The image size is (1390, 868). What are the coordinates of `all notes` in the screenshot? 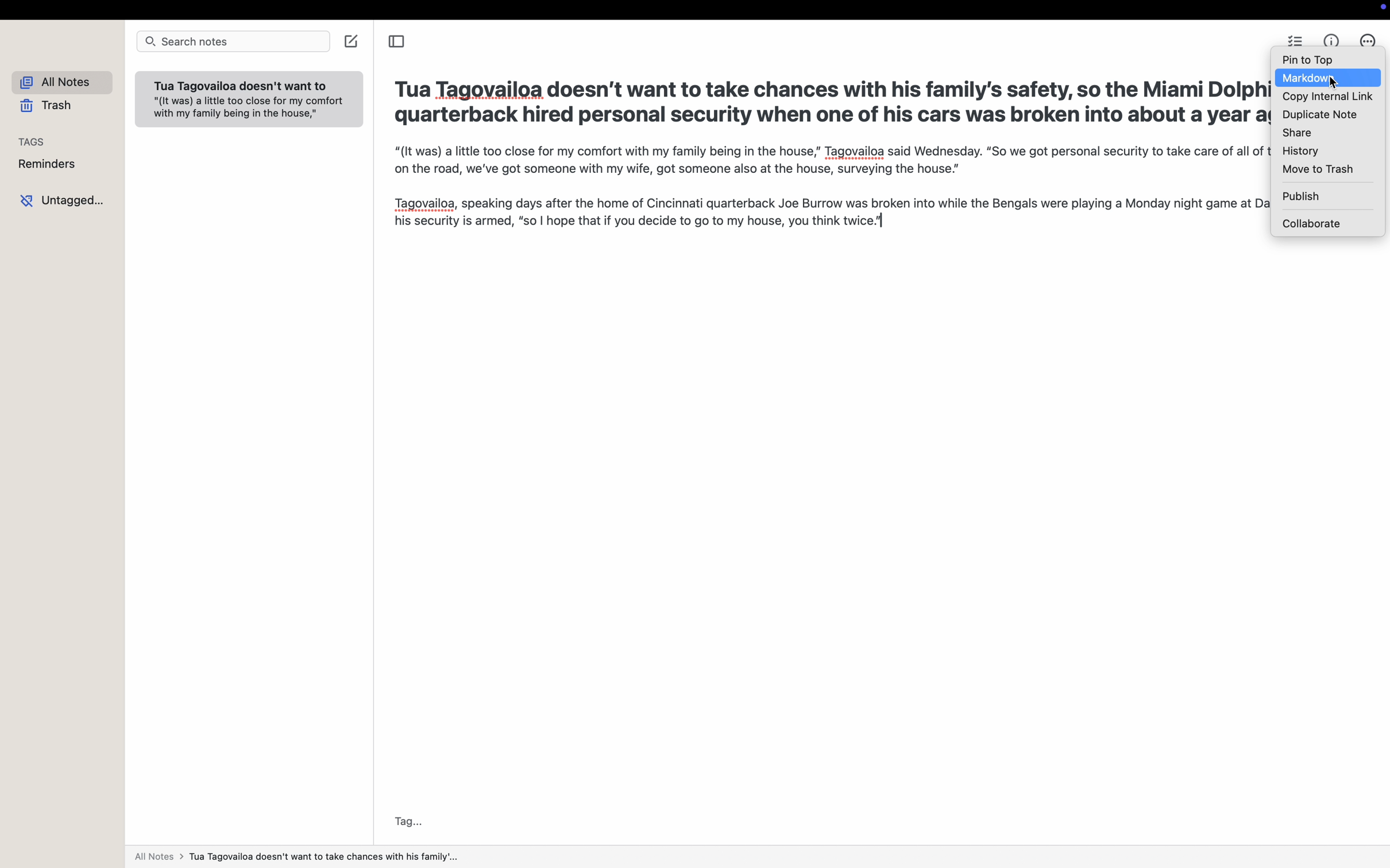 It's located at (57, 82).